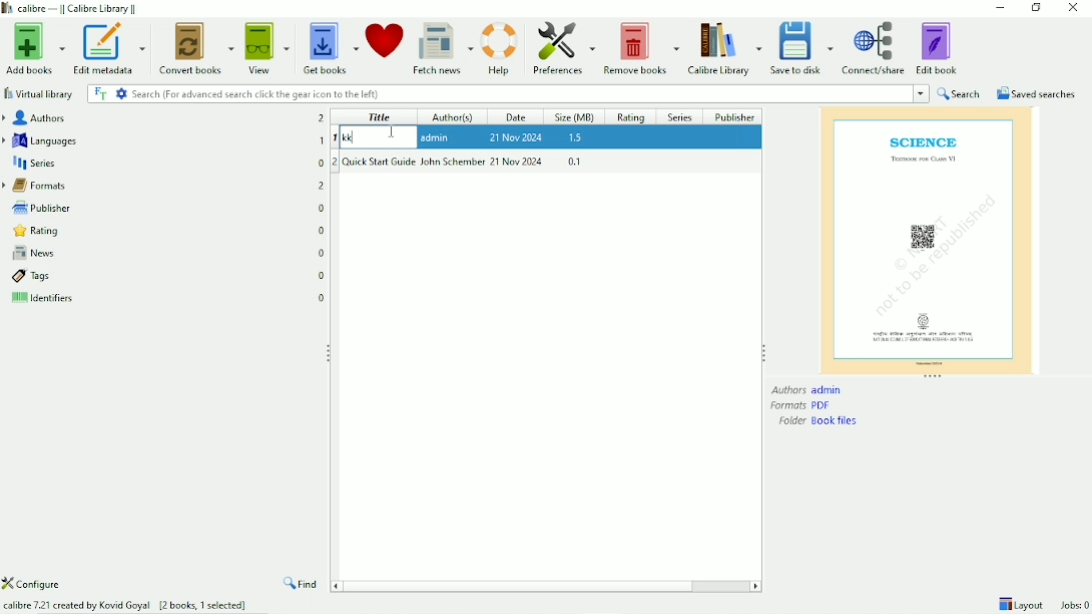 The height and width of the screenshot is (614, 1092). Describe the element at coordinates (640, 47) in the screenshot. I see `Remove books` at that location.